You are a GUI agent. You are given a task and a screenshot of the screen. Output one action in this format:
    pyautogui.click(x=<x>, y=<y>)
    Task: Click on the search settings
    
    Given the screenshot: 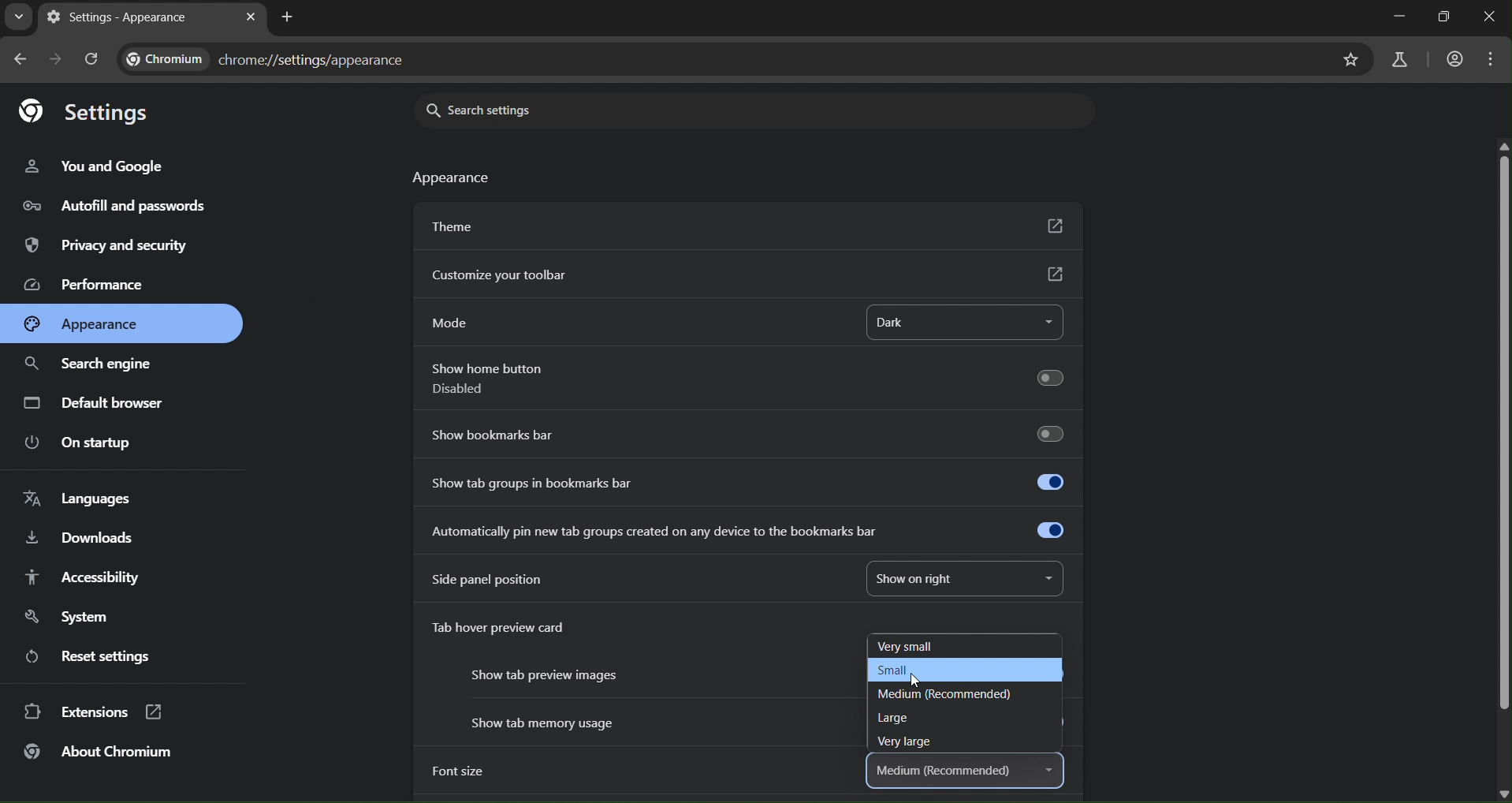 What is the action you would take?
    pyautogui.click(x=553, y=109)
    